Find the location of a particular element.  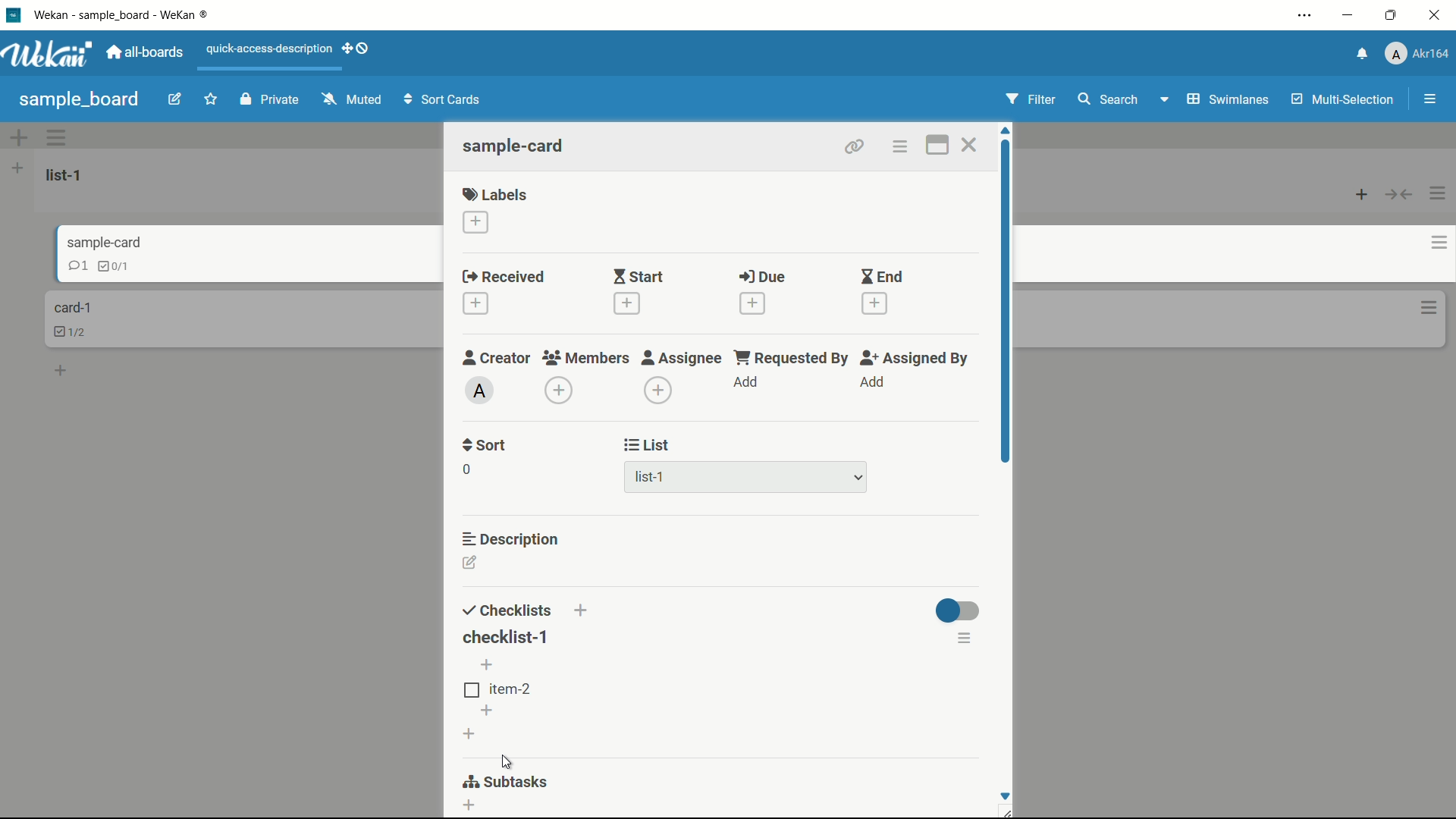

requested by is located at coordinates (793, 358).